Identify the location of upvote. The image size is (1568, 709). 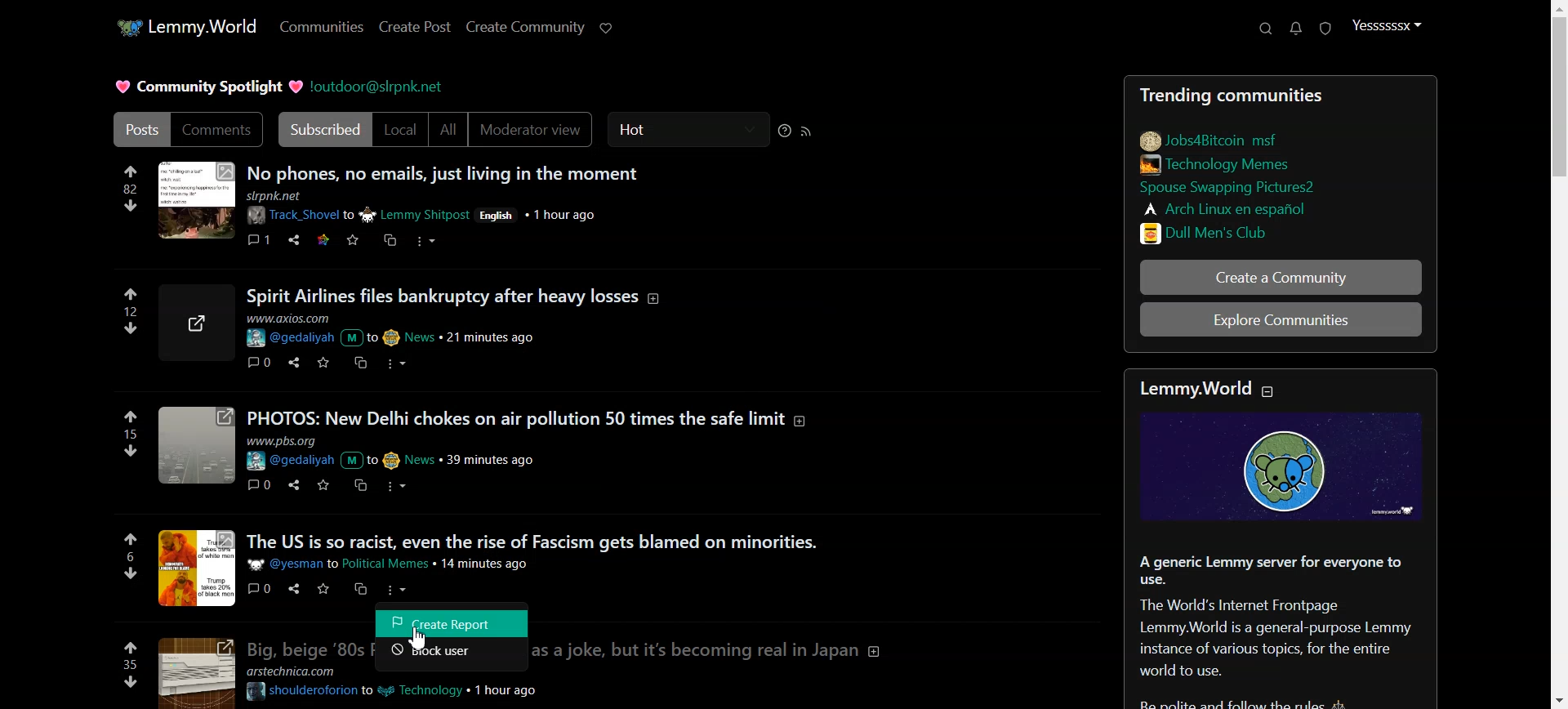
(131, 417).